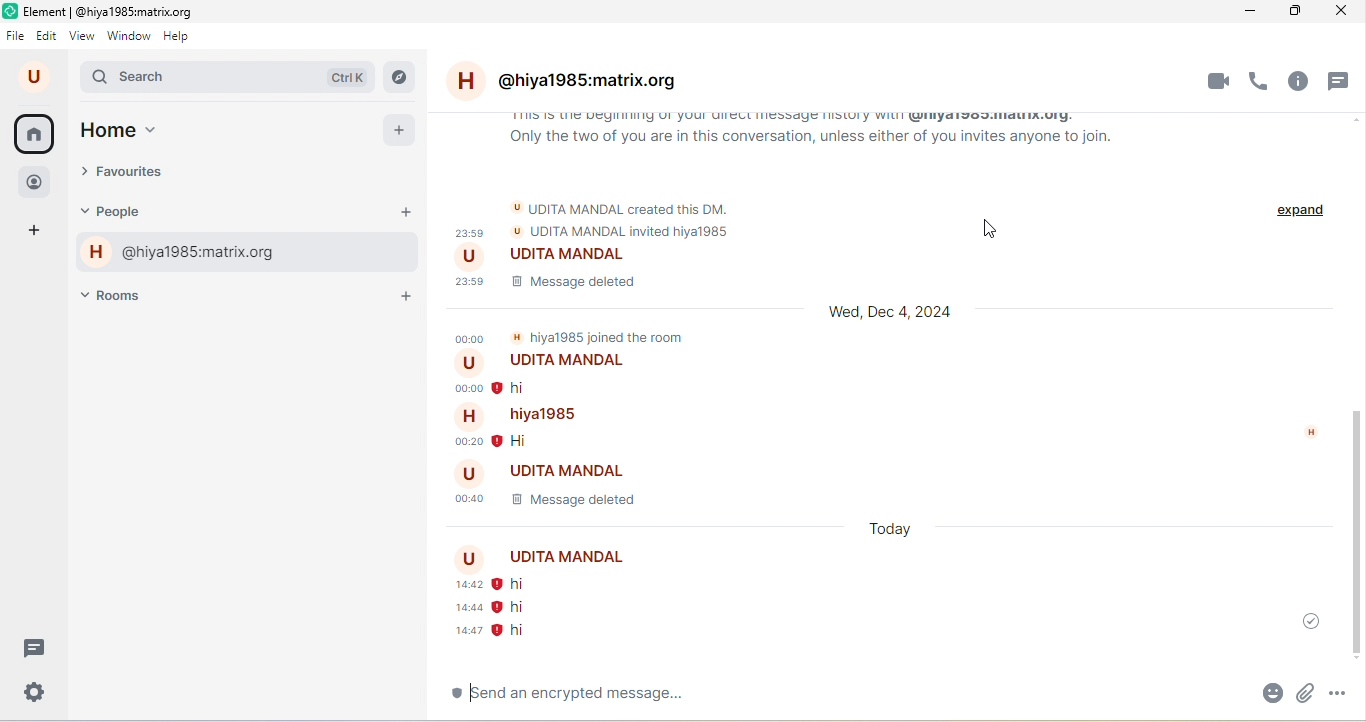 This screenshot has width=1366, height=722. What do you see at coordinates (469, 337) in the screenshot?
I see `00.00` at bounding box center [469, 337].